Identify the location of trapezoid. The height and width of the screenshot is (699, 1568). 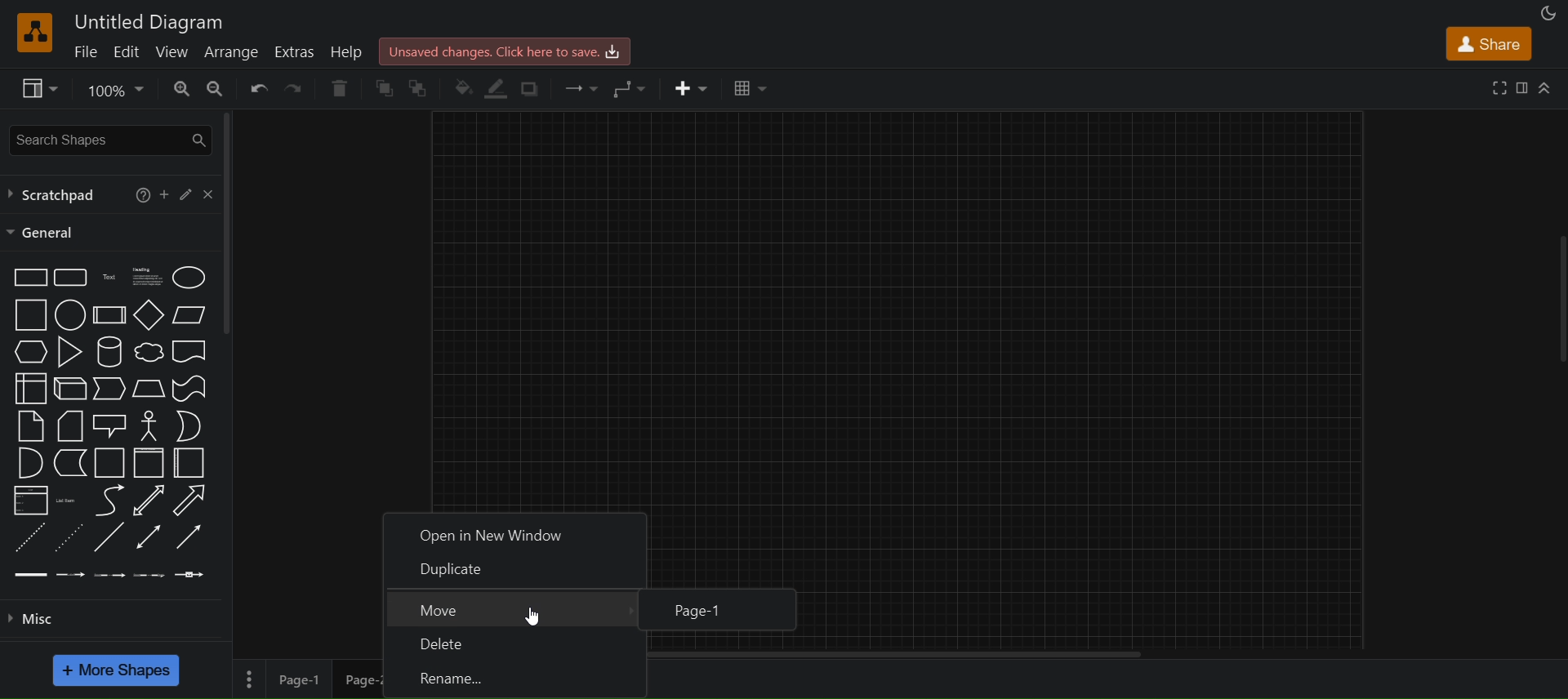
(147, 389).